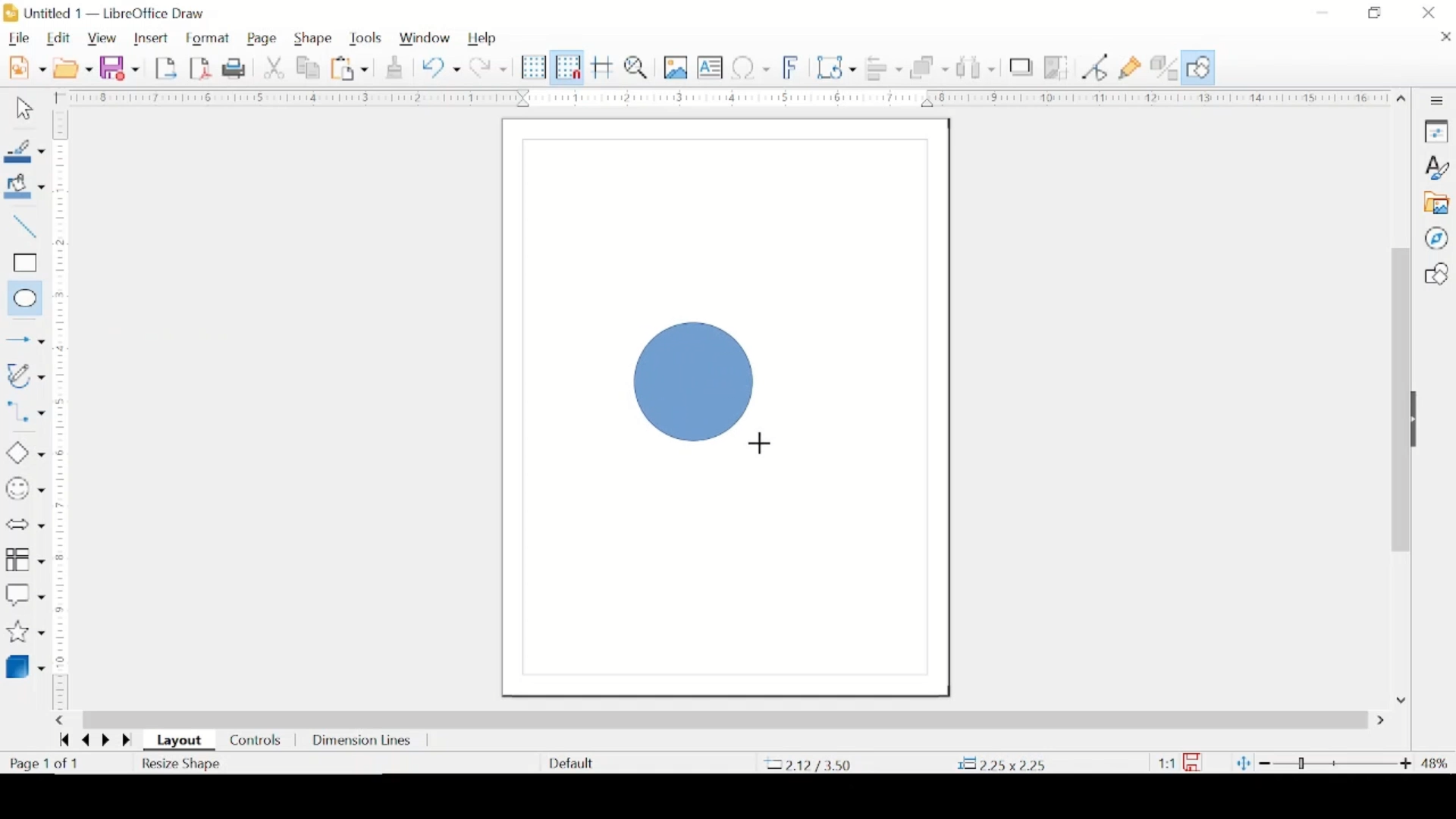 The width and height of the screenshot is (1456, 819). What do you see at coordinates (275, 67) in the screenshot?
I see `cut` at bounding box center [275, 67].